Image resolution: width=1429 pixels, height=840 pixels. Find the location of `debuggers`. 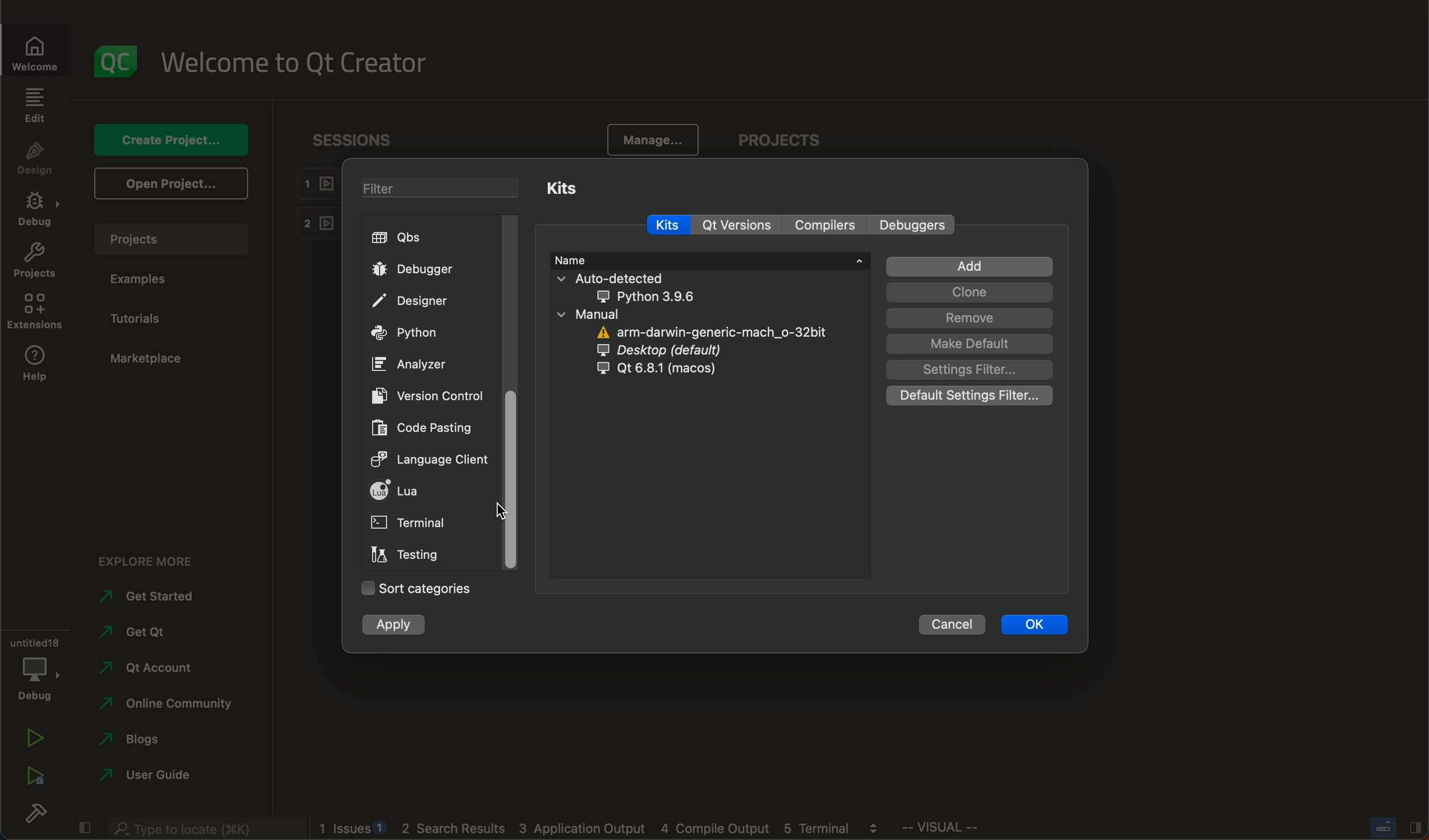

debuggers is located at coordinates (916, 224).